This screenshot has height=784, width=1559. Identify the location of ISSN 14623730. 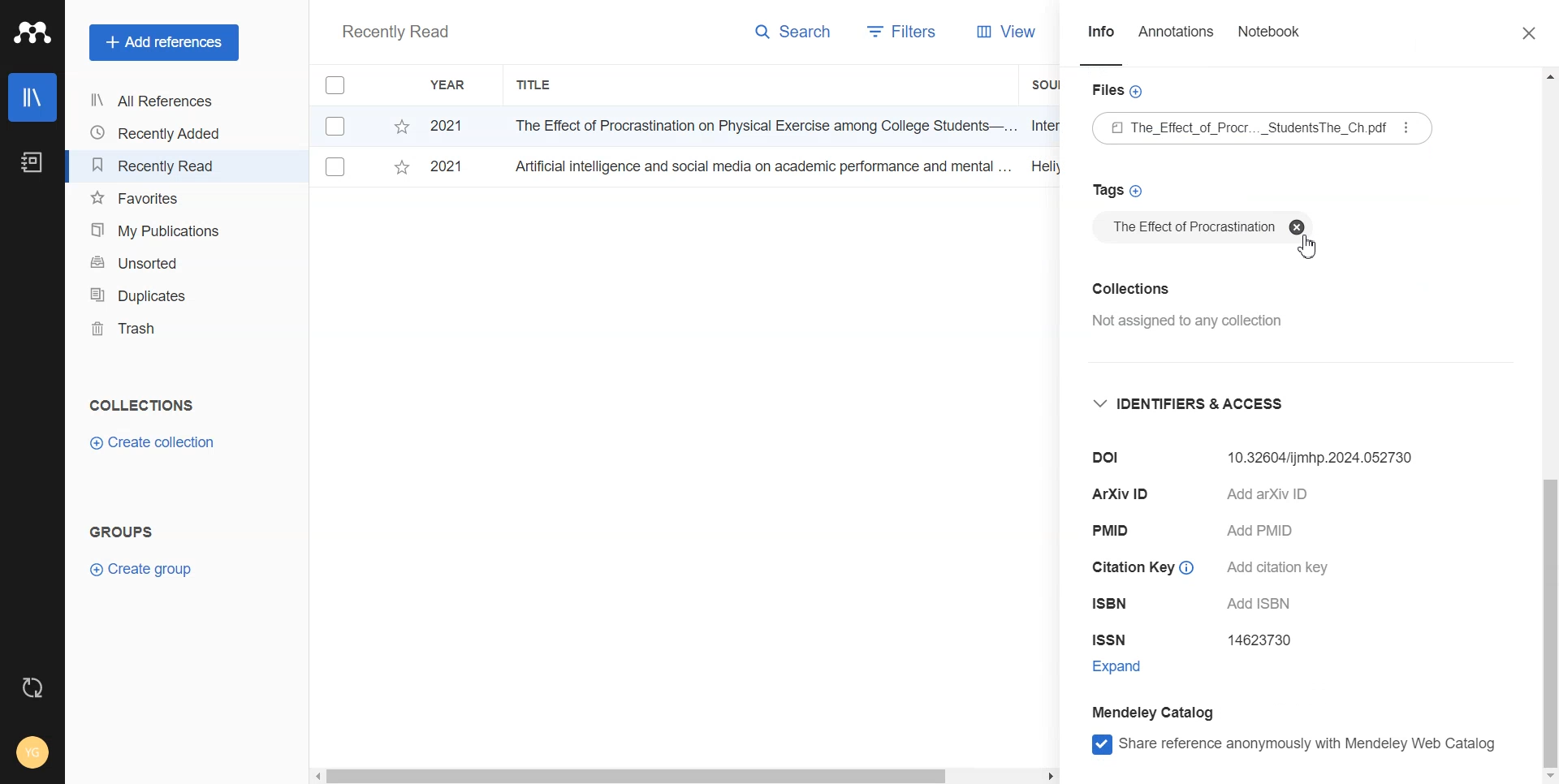
(1200, 640).